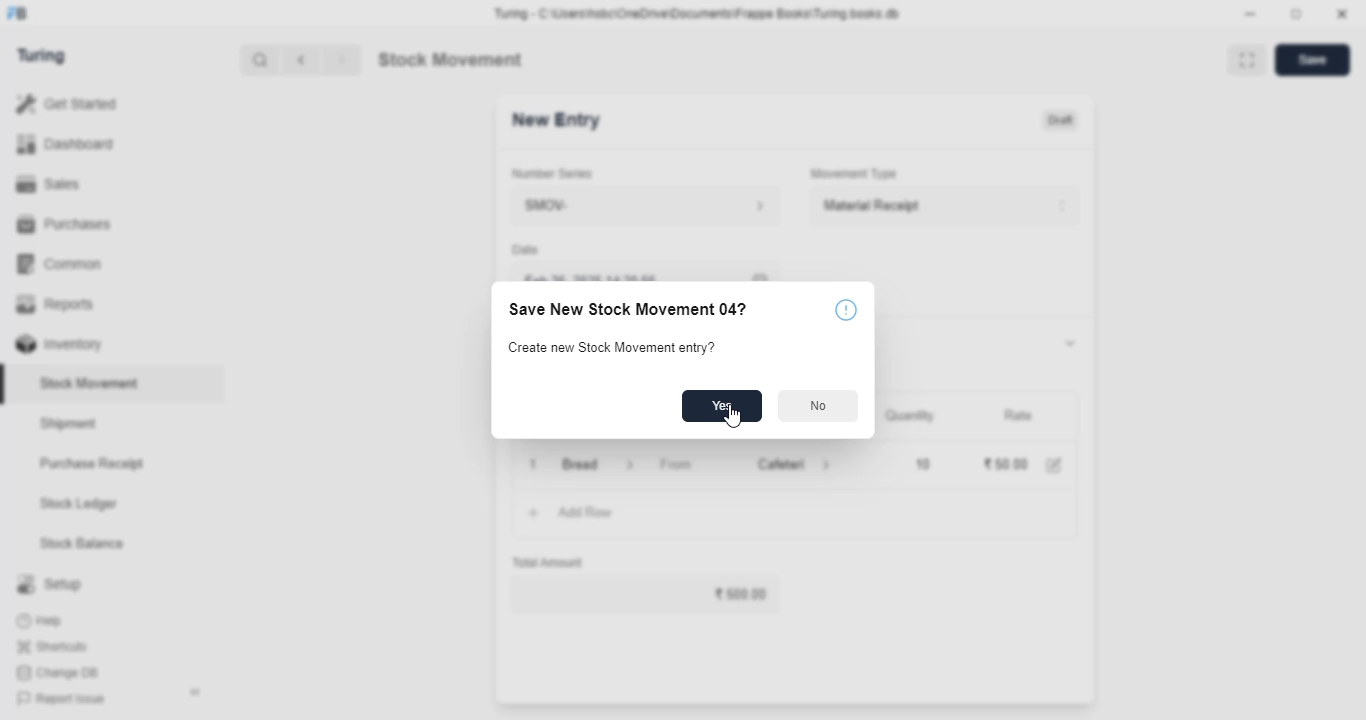 Image resolution: width=1366 pixels, height=720 pixels. Describe the element at coordinates (92, 463) in the screenshot. I see `purchase receipt` at that location.